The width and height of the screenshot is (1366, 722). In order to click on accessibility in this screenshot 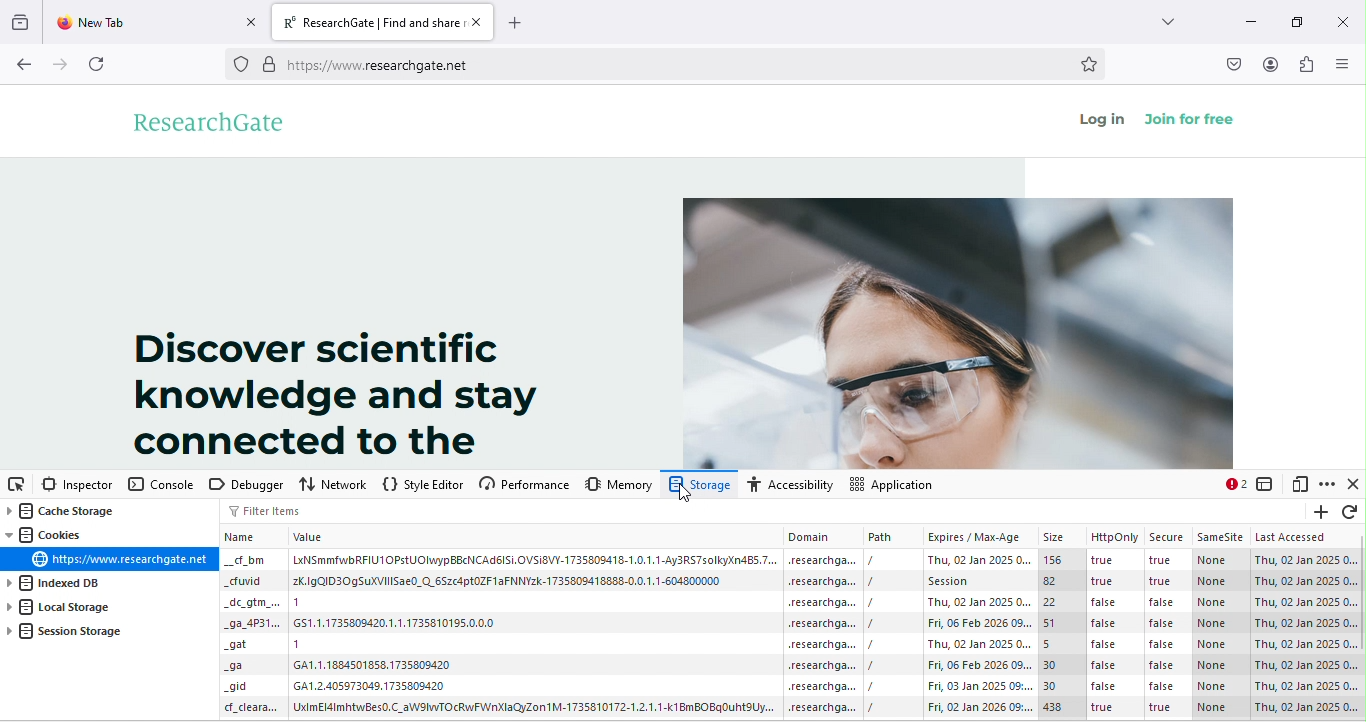, I will do `click(789, 485)`.